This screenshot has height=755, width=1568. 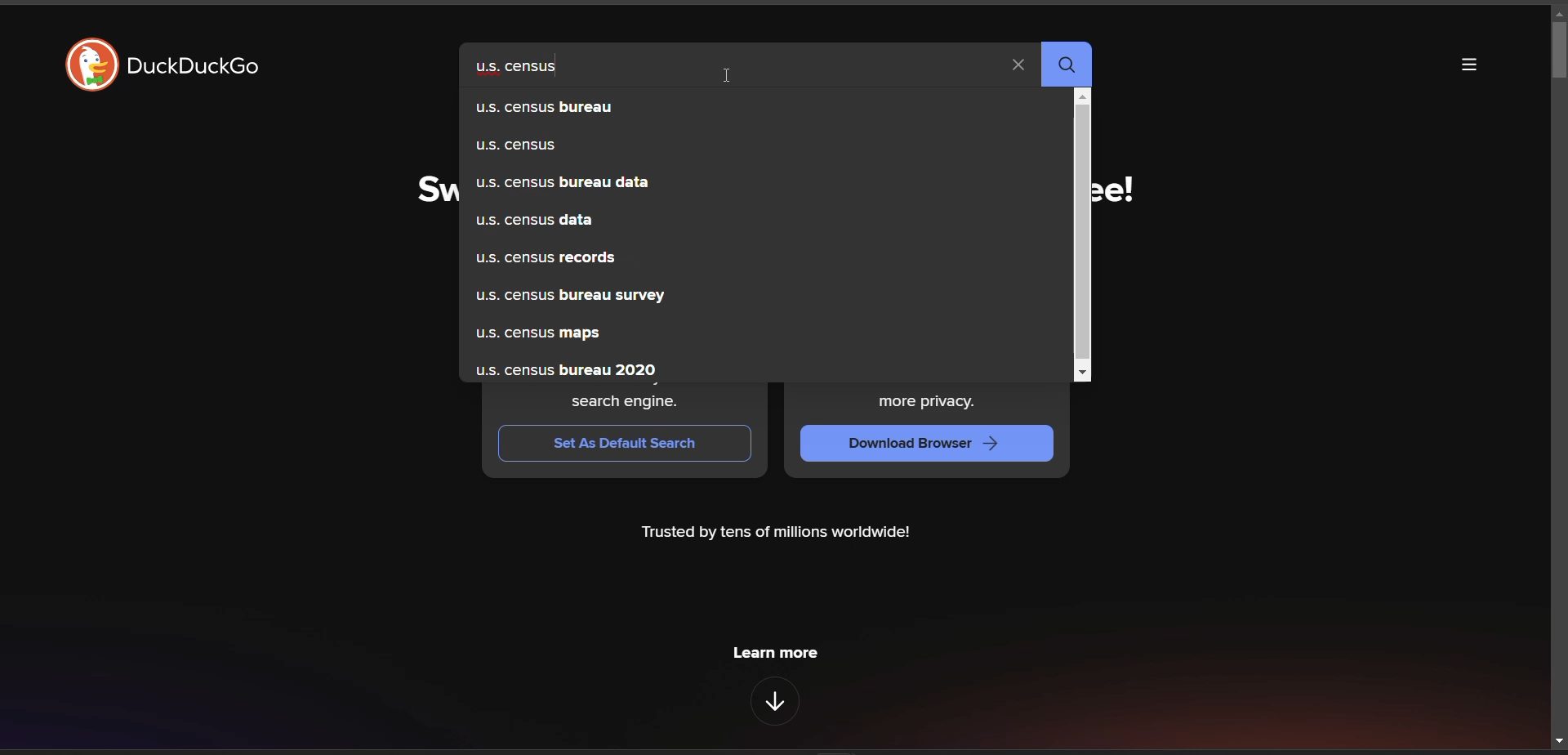 I want to click on more options, so click(x=1474, y=65).